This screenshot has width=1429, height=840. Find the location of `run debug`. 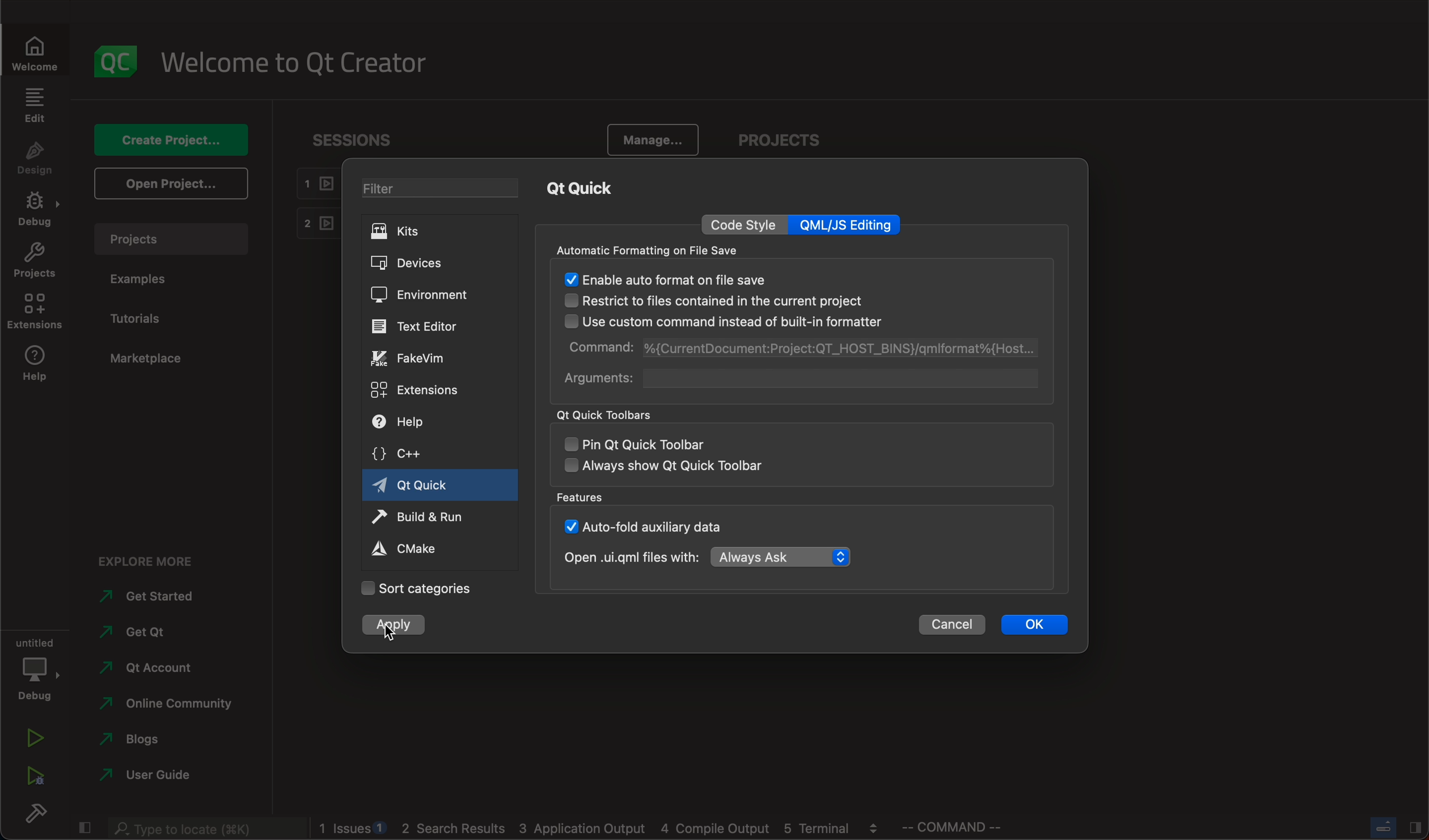

run debug is located at coordinates (37, 774).